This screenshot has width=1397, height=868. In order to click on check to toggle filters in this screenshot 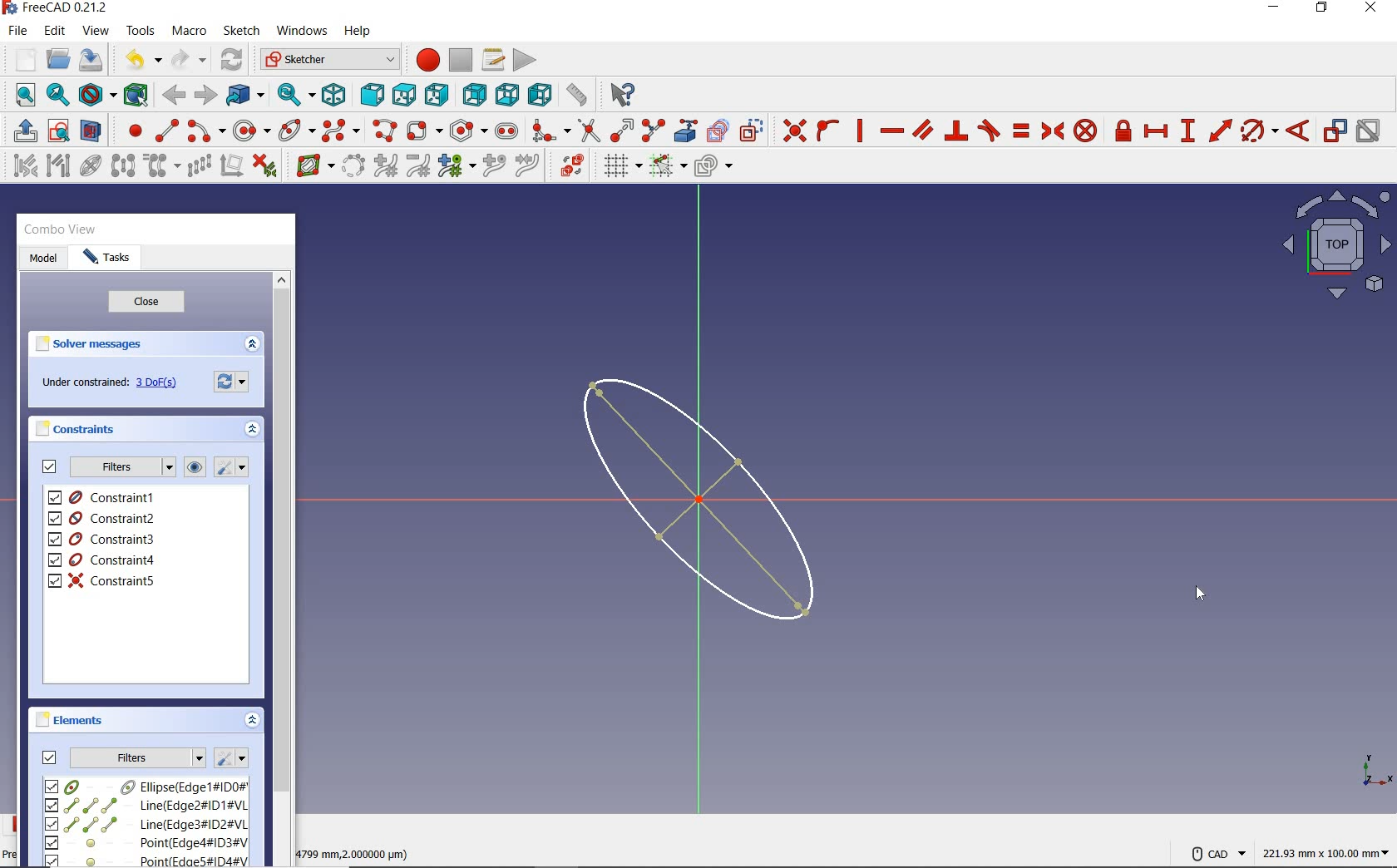, I will do `click(50, 757)`.